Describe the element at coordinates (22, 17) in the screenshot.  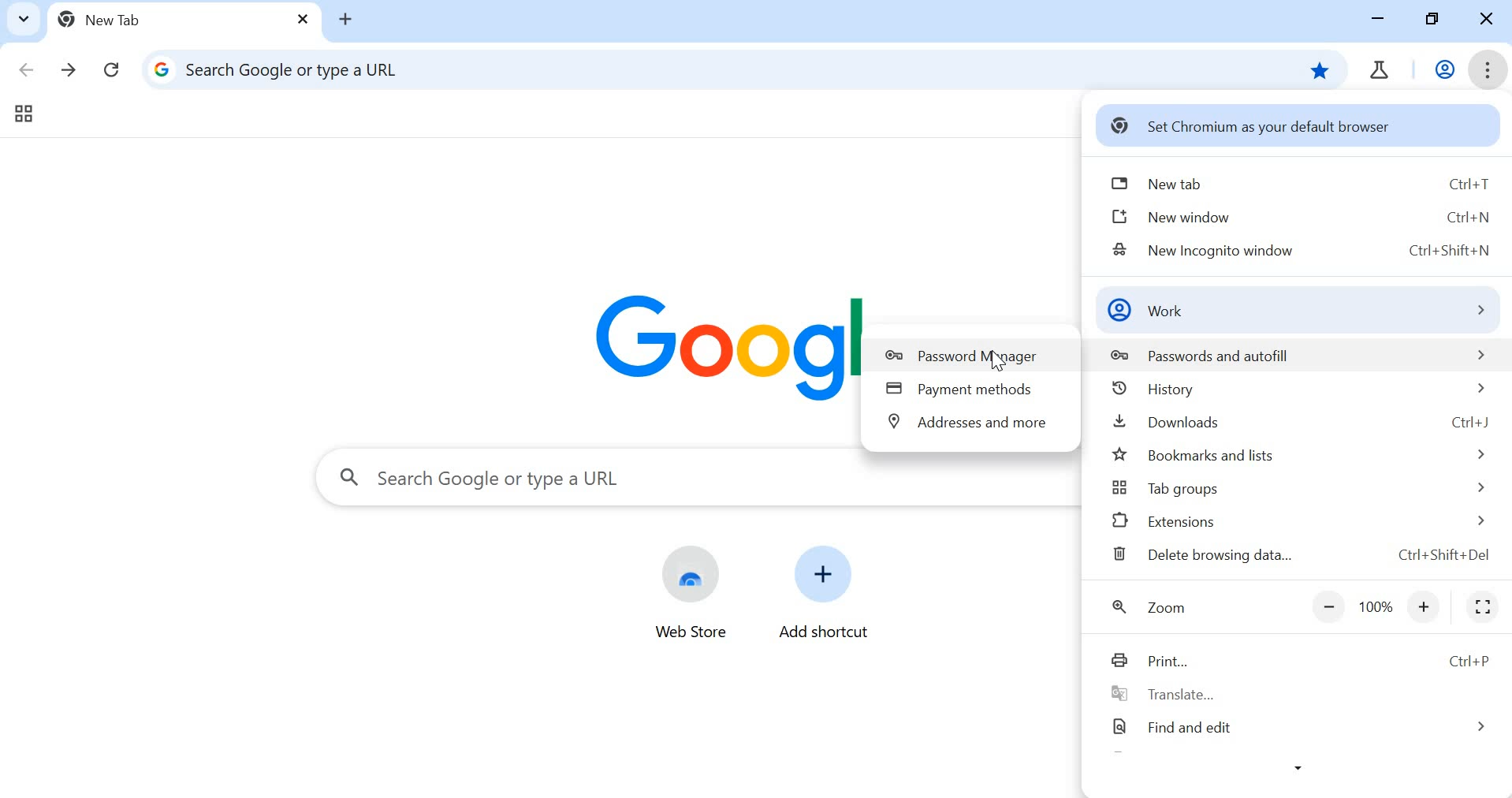
I see `search tabs` at that location.